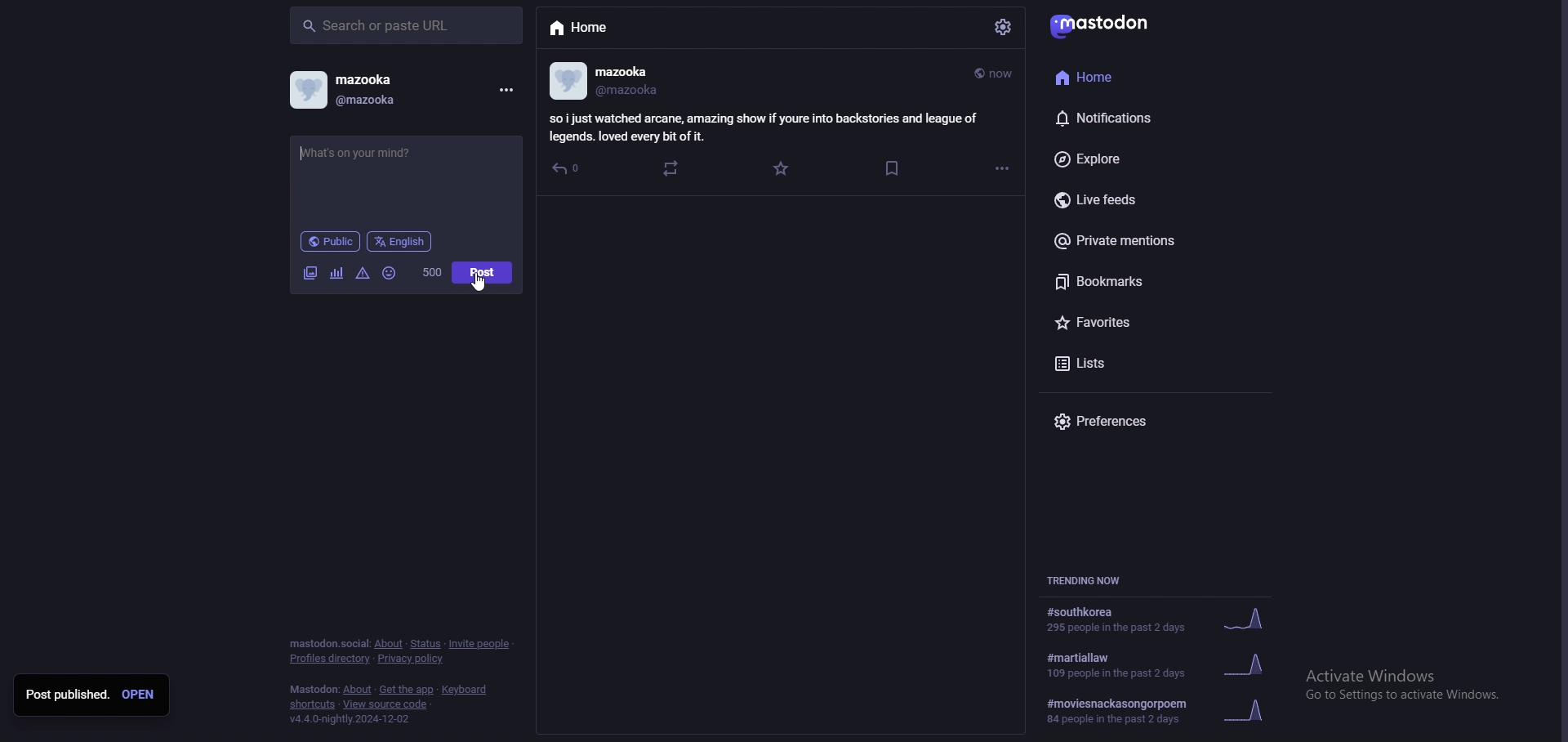  Describe the element at coordinates (1129, 118) in the screenshot. I see `notifications` at that location.